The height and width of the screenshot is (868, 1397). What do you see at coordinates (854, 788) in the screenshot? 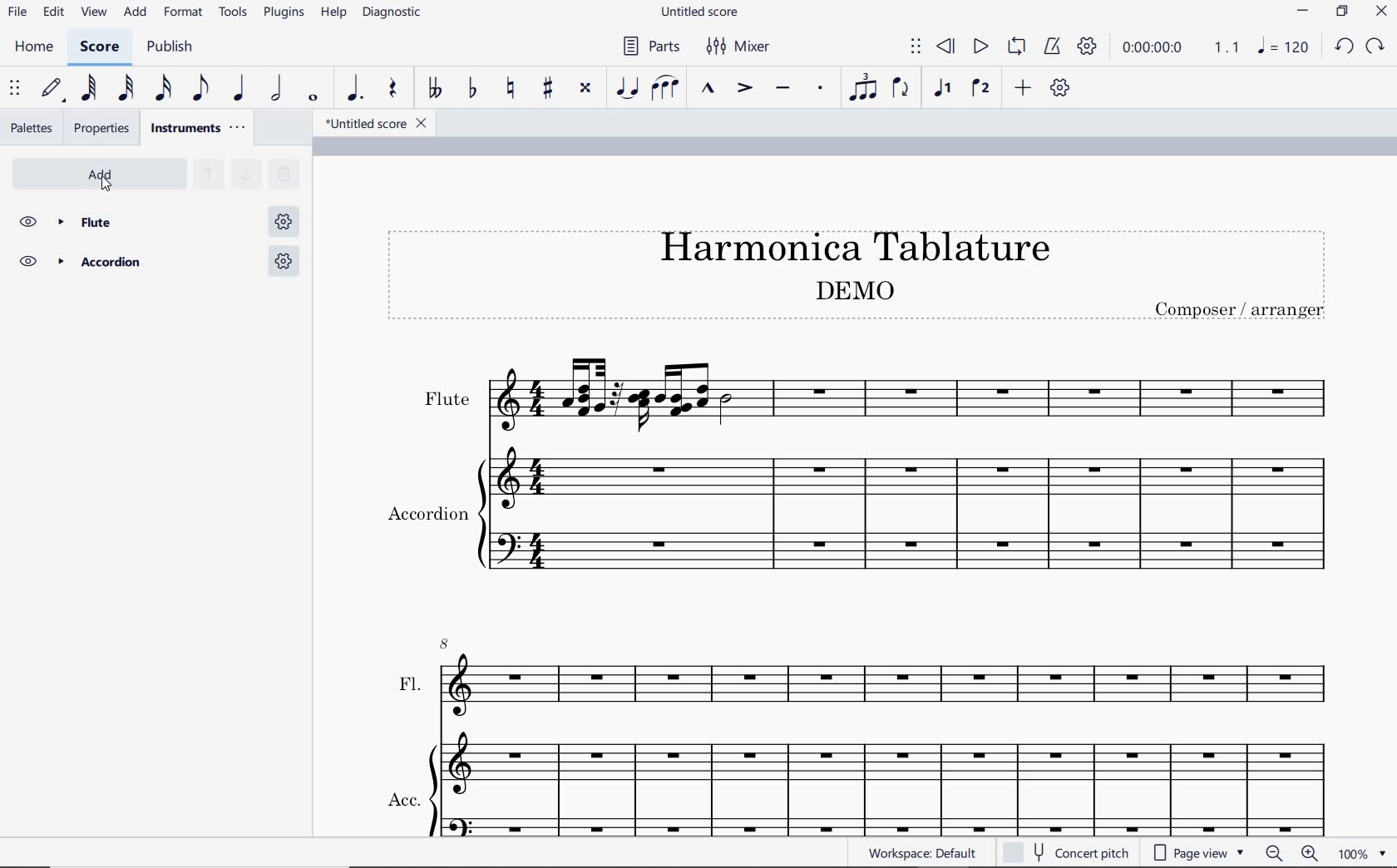
I see `ACC.` at bounding box center [854, 788].